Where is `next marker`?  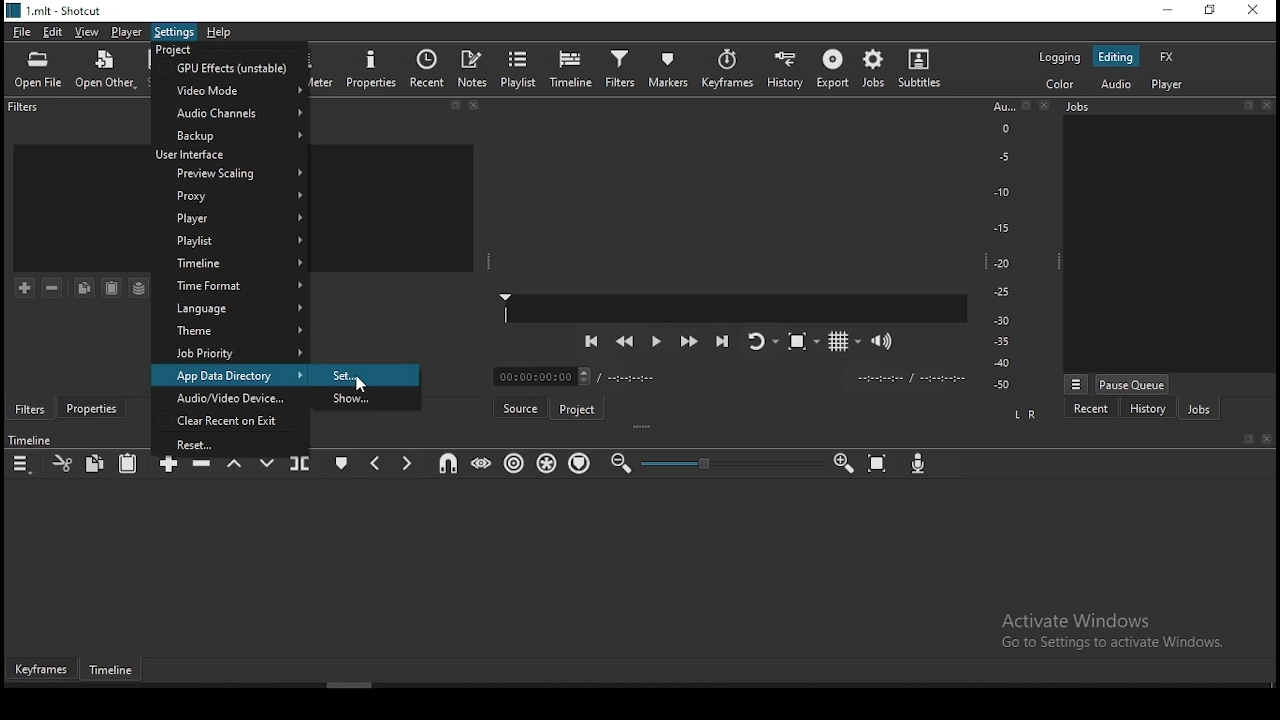 next marker is located at coordinates (407, 462).